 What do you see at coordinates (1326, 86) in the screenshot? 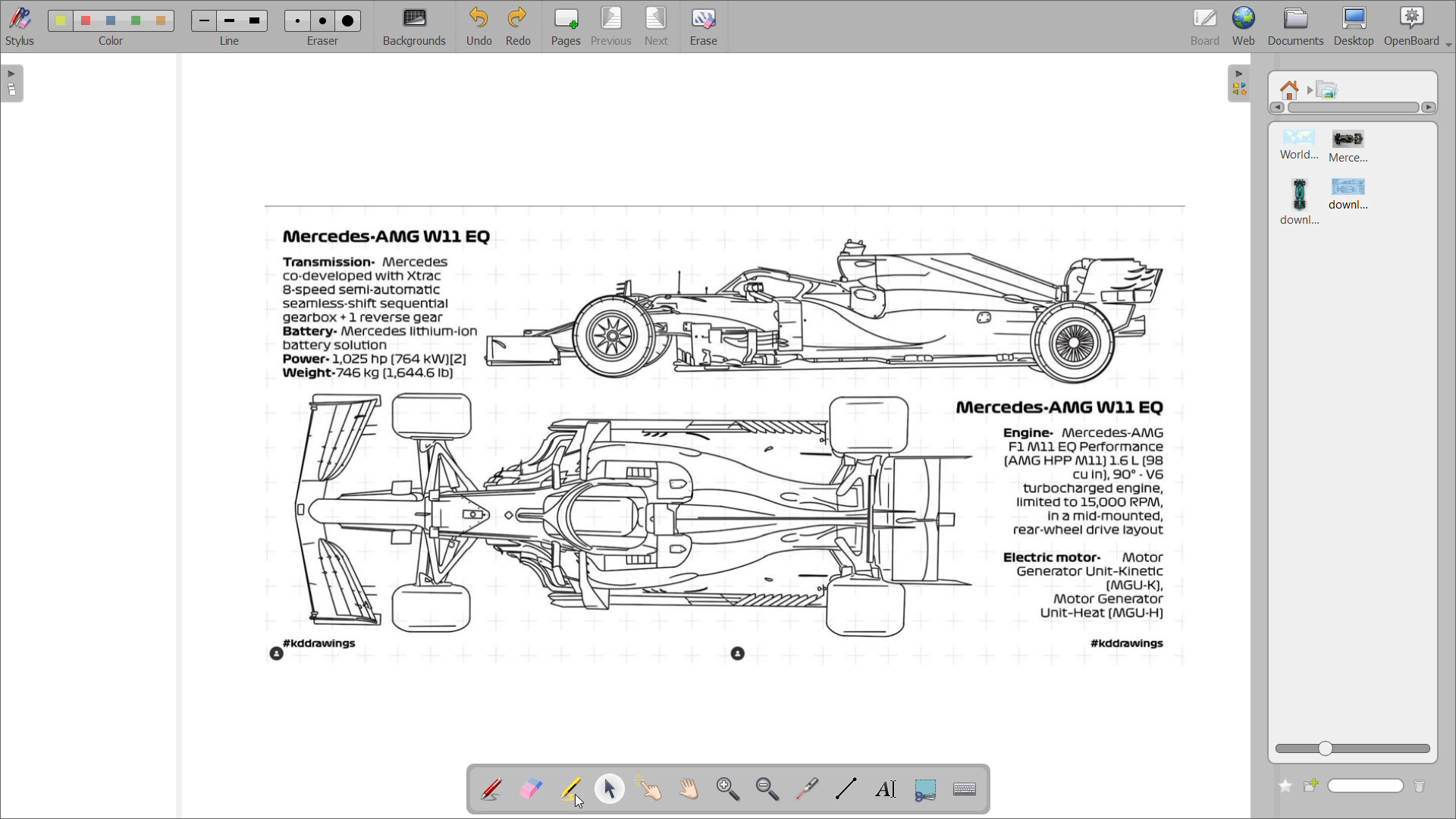
I see `pictures` at bounding box center [1326, 86].